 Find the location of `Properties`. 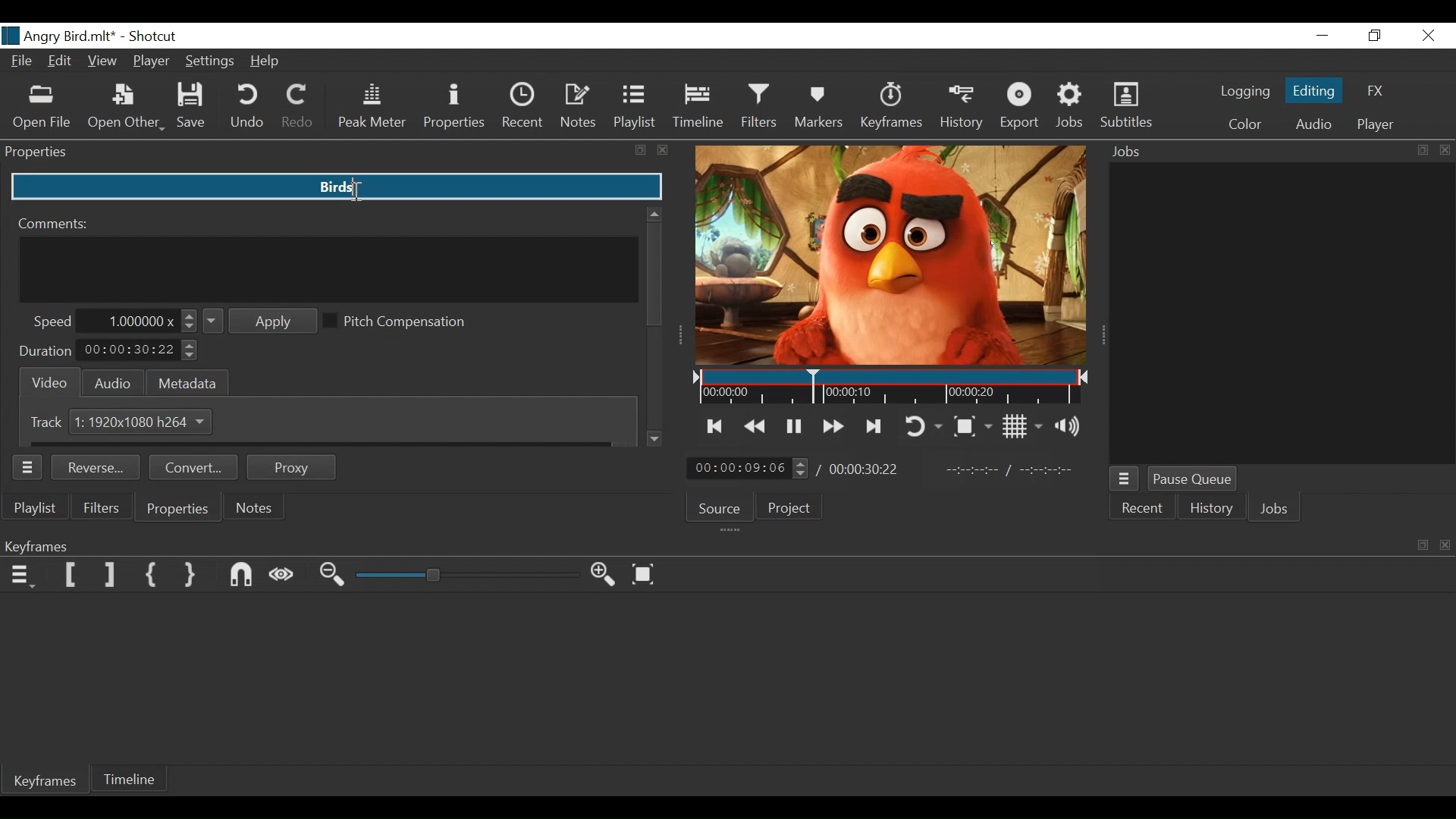

Properties is located at coordinates (177, 509).